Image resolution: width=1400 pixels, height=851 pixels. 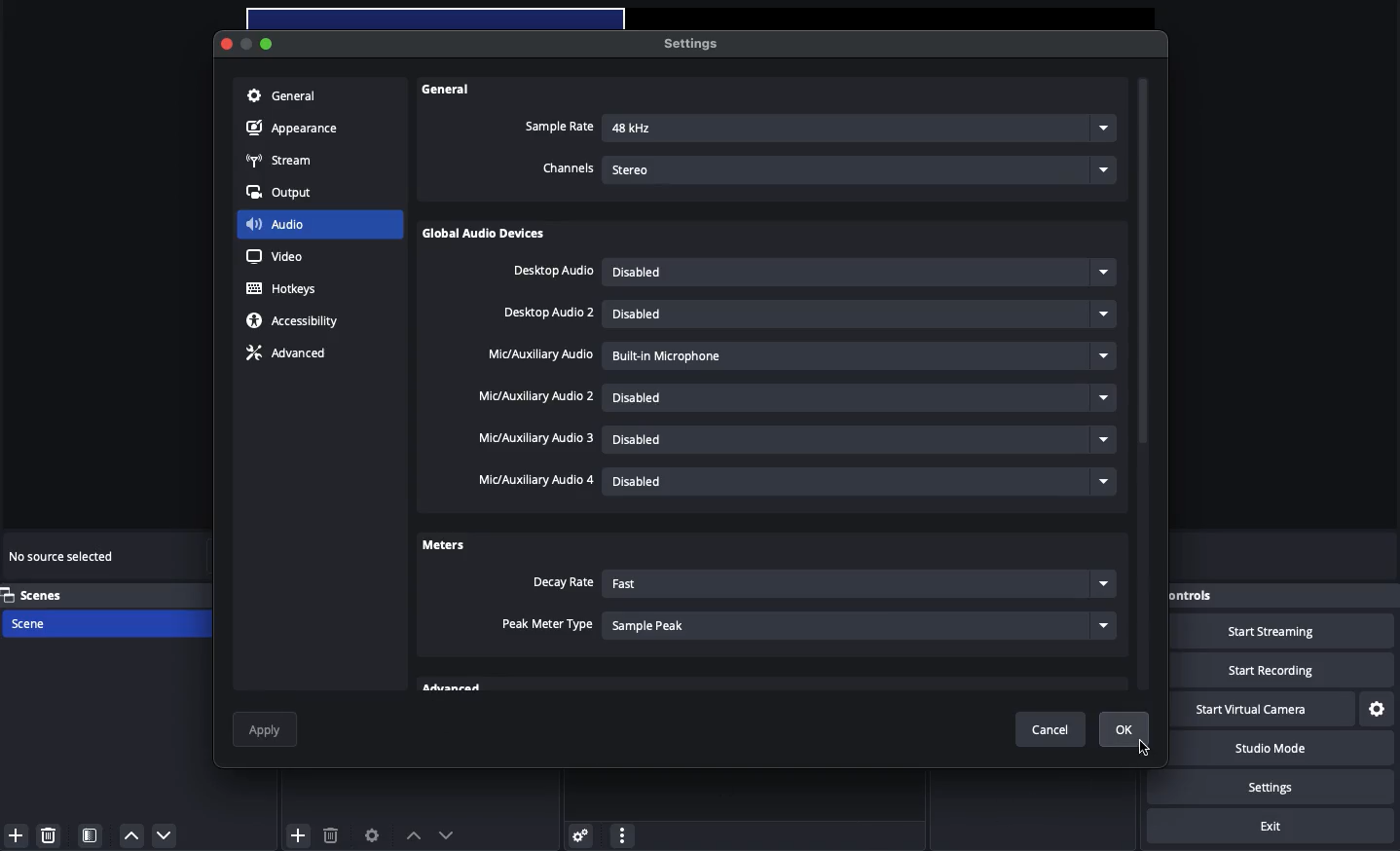 I want to click on Global audio devices, so click(x=488, y=236).